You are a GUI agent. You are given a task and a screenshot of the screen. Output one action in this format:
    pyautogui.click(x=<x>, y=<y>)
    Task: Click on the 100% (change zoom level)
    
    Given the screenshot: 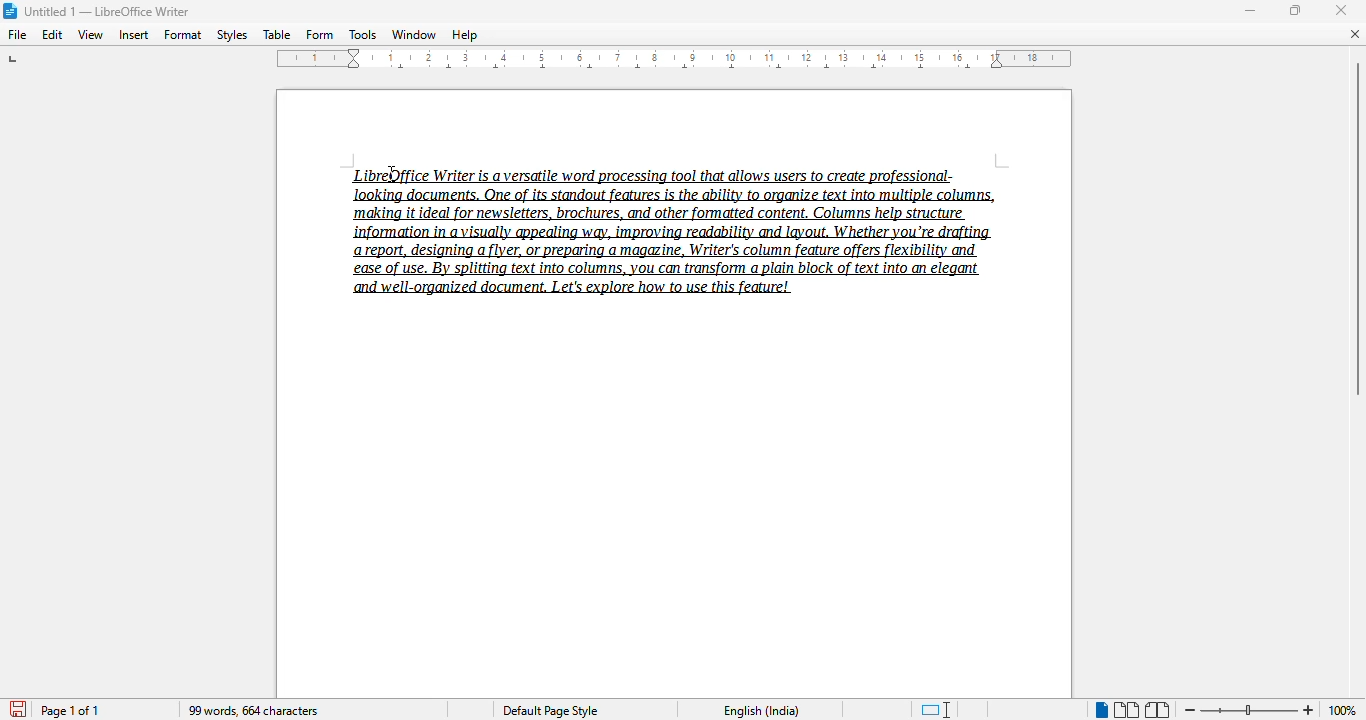 What is the action you would take?
    pyautogui.click(x=1345, y=711)
    